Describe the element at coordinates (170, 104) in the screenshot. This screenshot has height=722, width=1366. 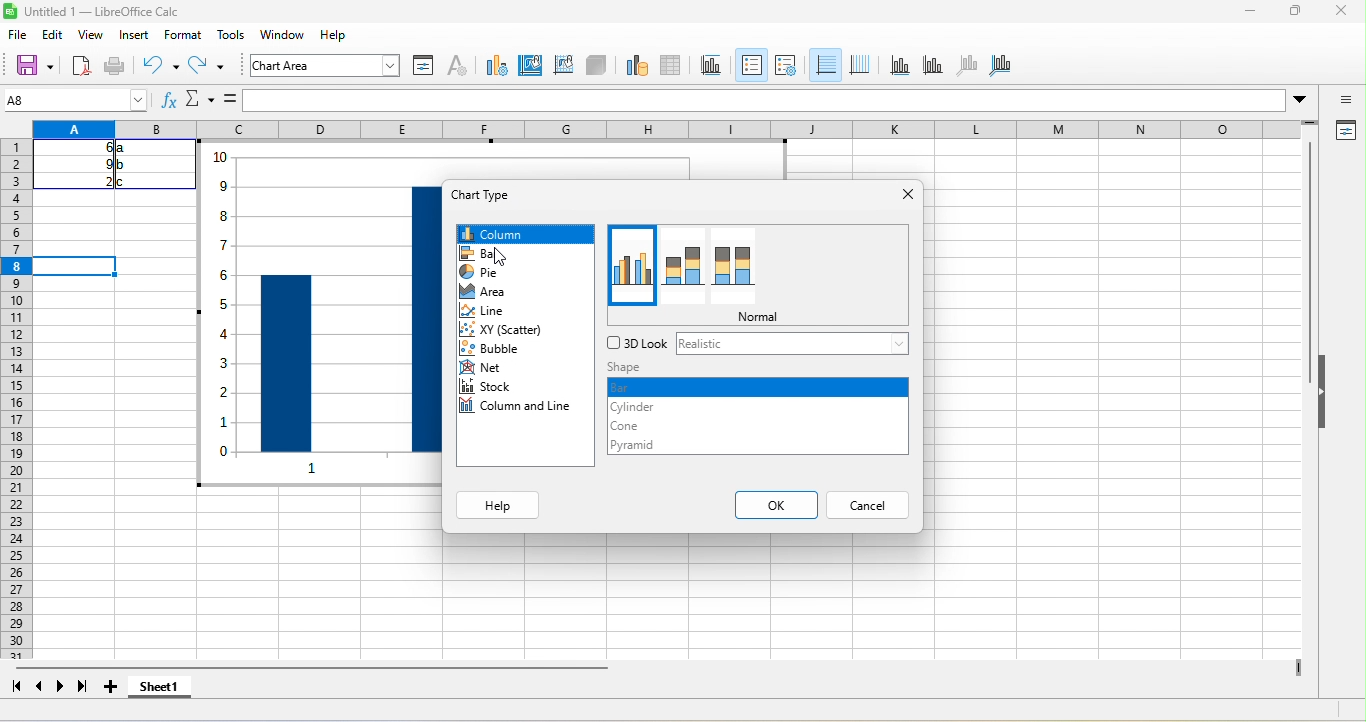
I see `function wizard` at that location.